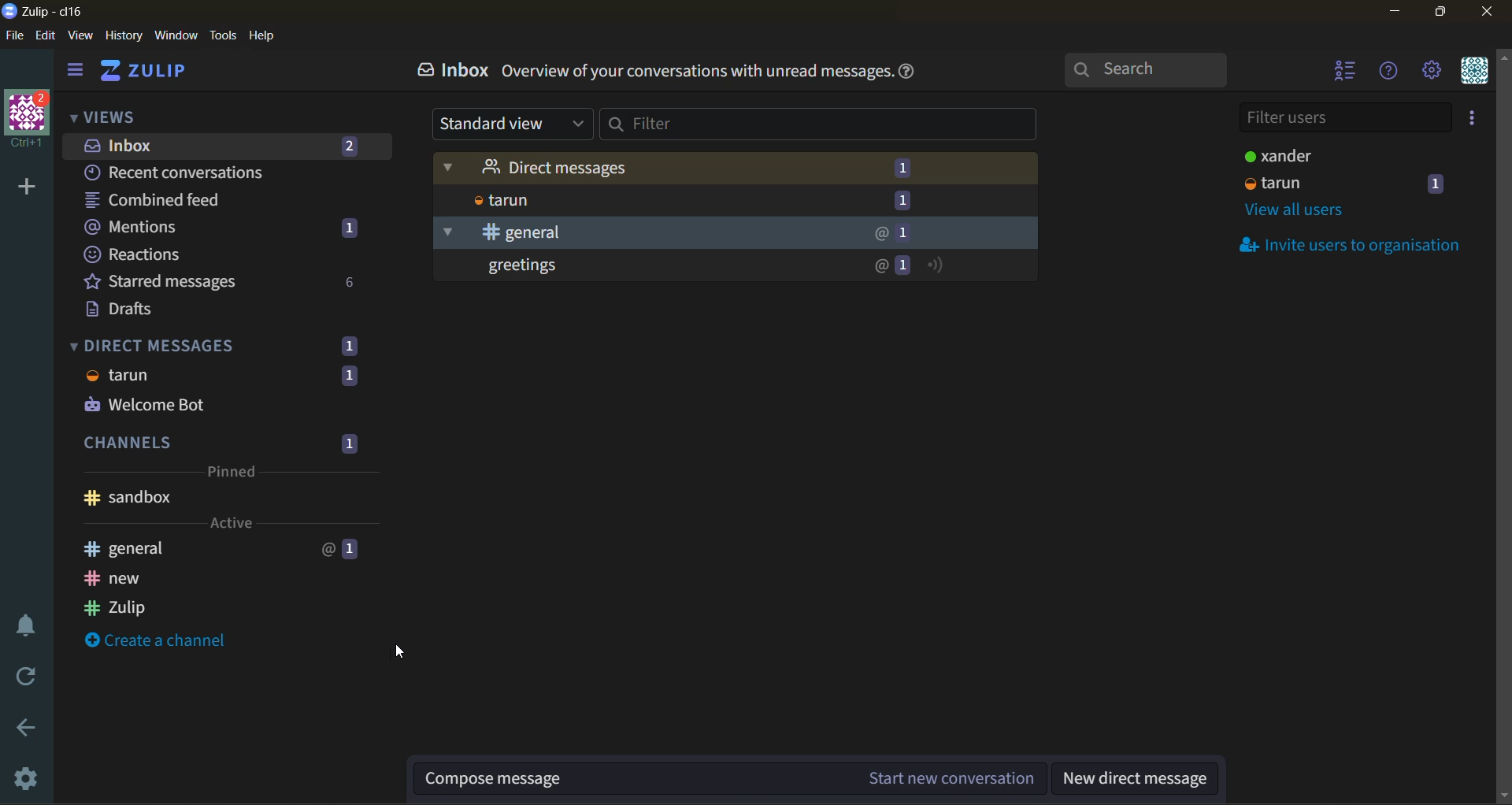 This screenshot has width=1512, height=805. I want to click on Welcome Bot, so click(204, 408).